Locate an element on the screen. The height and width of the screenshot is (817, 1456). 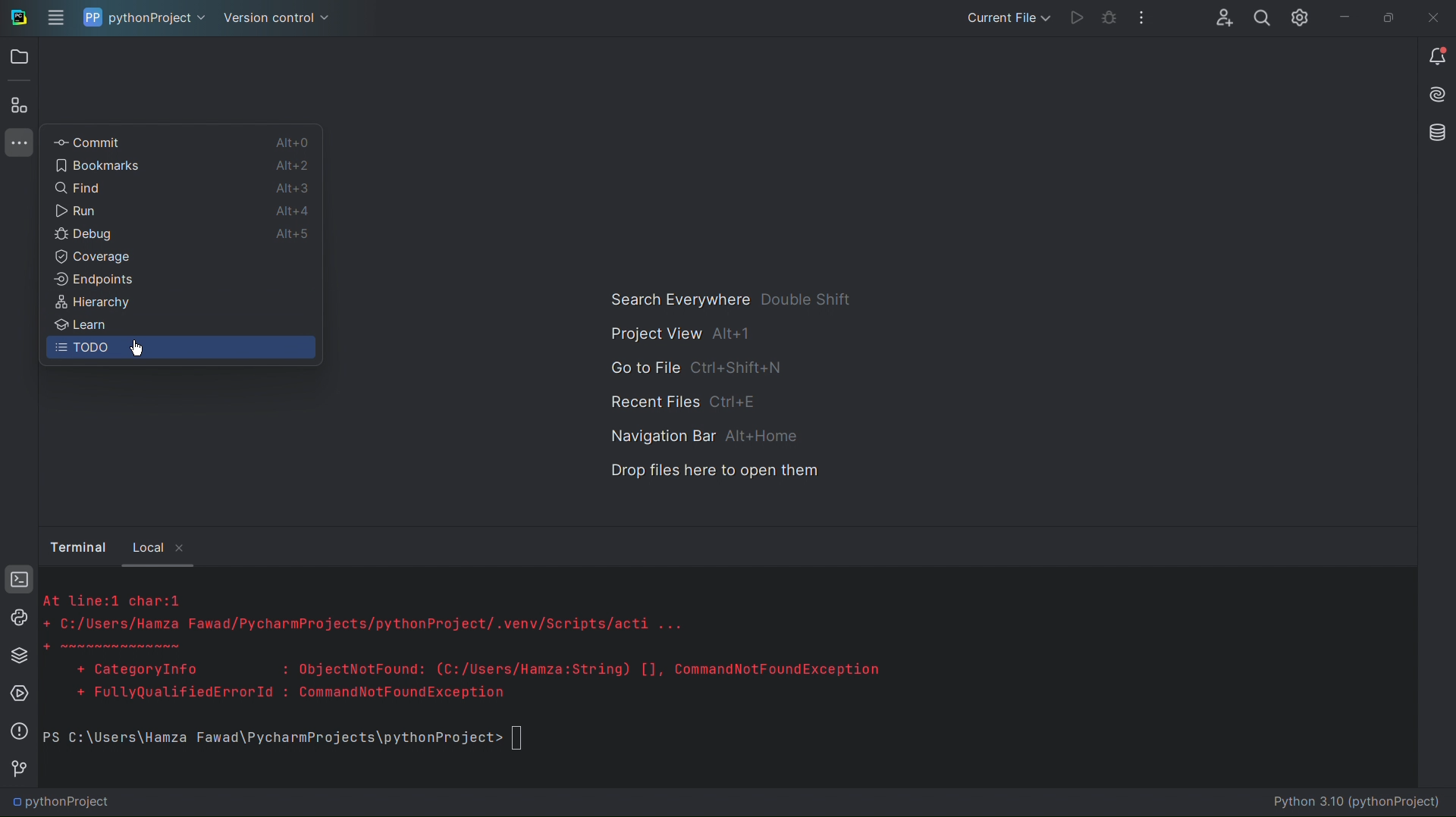
Recent Files is located at coordinates (685, 403).